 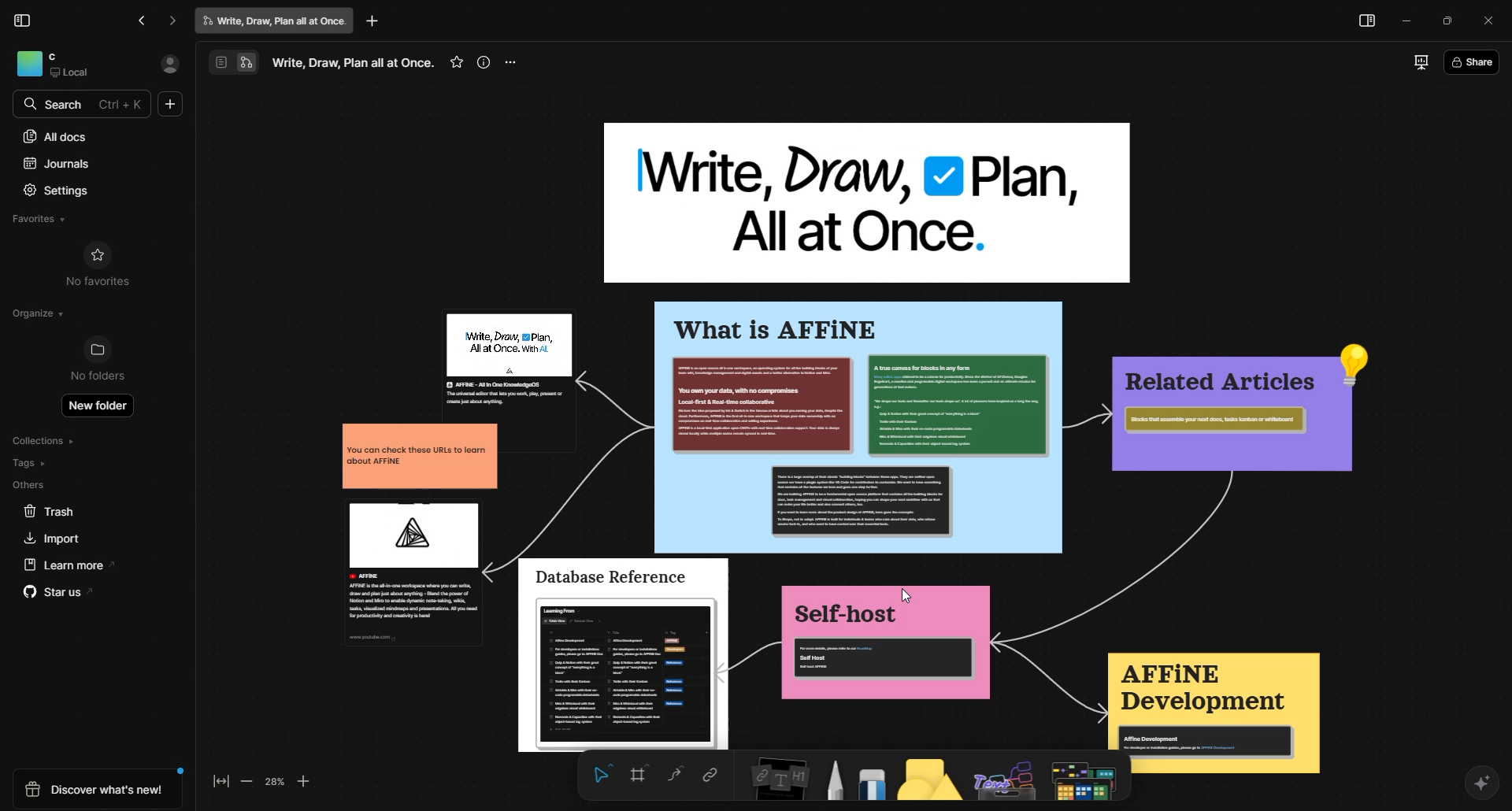 What do you see at coordinates (30, 485) in the screenshot?
I see `others` at bounding box center [30, 485].